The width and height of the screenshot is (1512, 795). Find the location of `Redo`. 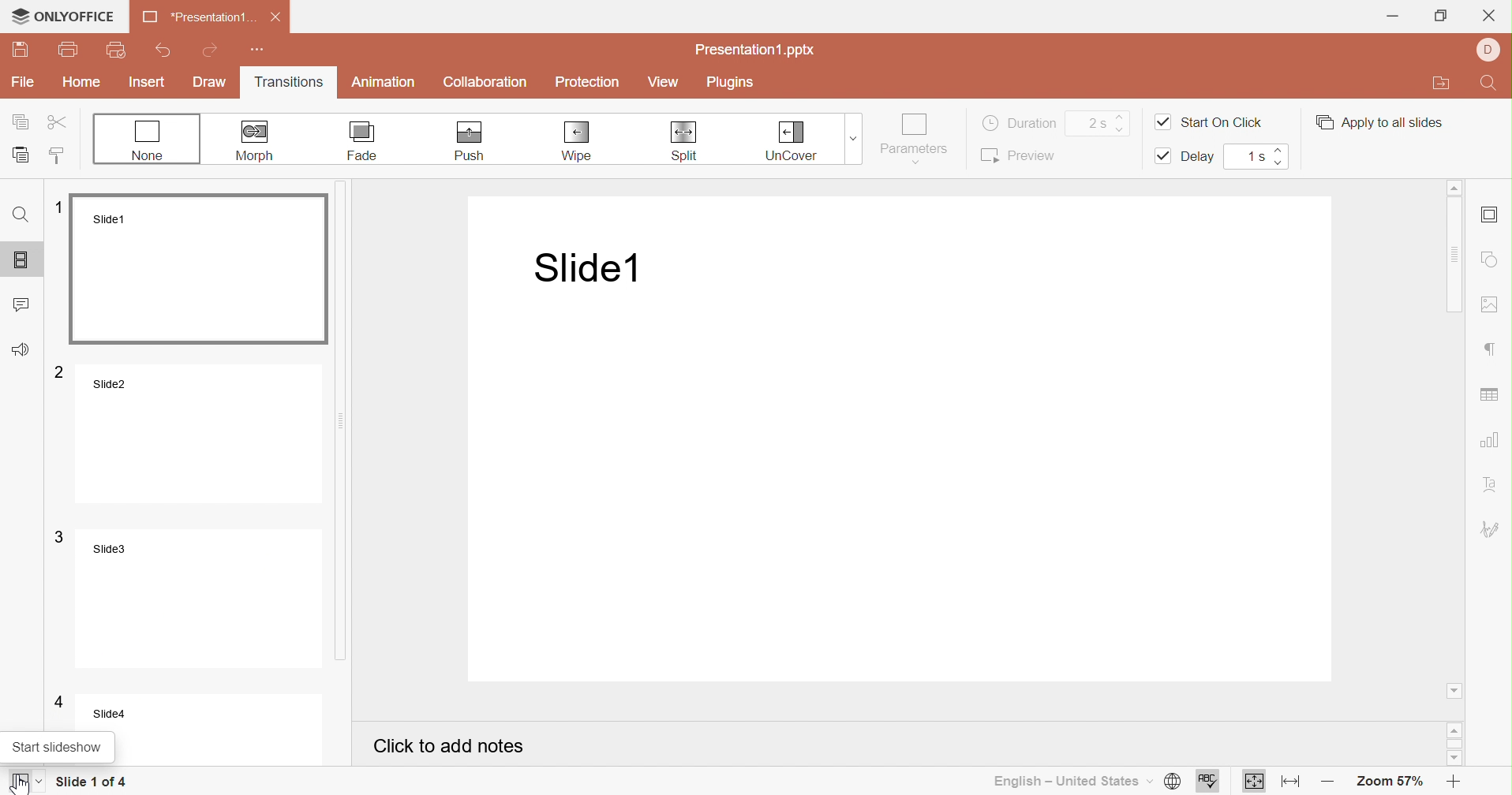

Redo is located at coordinates (213, 49).